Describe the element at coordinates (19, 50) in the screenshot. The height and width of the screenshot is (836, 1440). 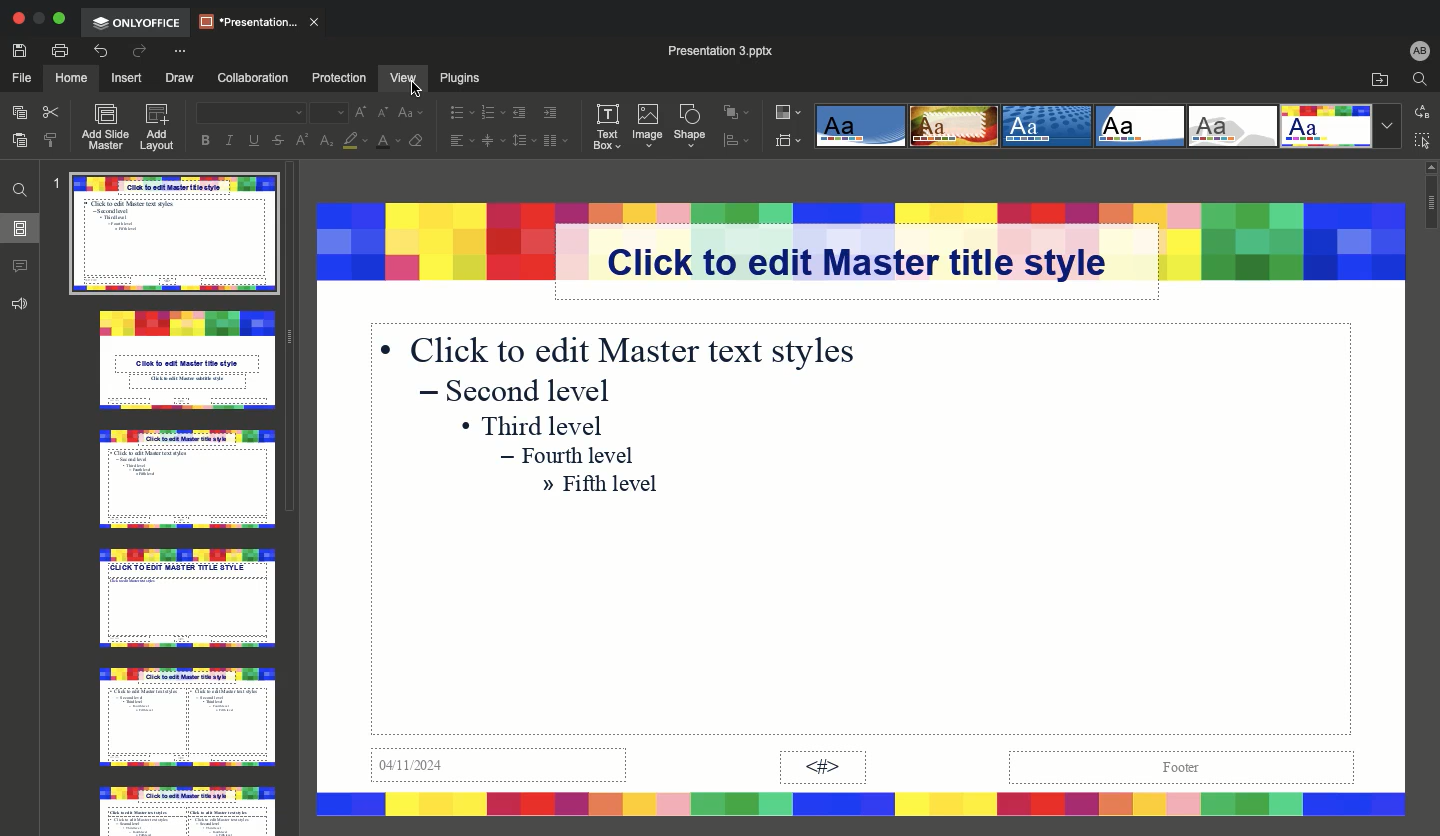
I see `Save` at that location.